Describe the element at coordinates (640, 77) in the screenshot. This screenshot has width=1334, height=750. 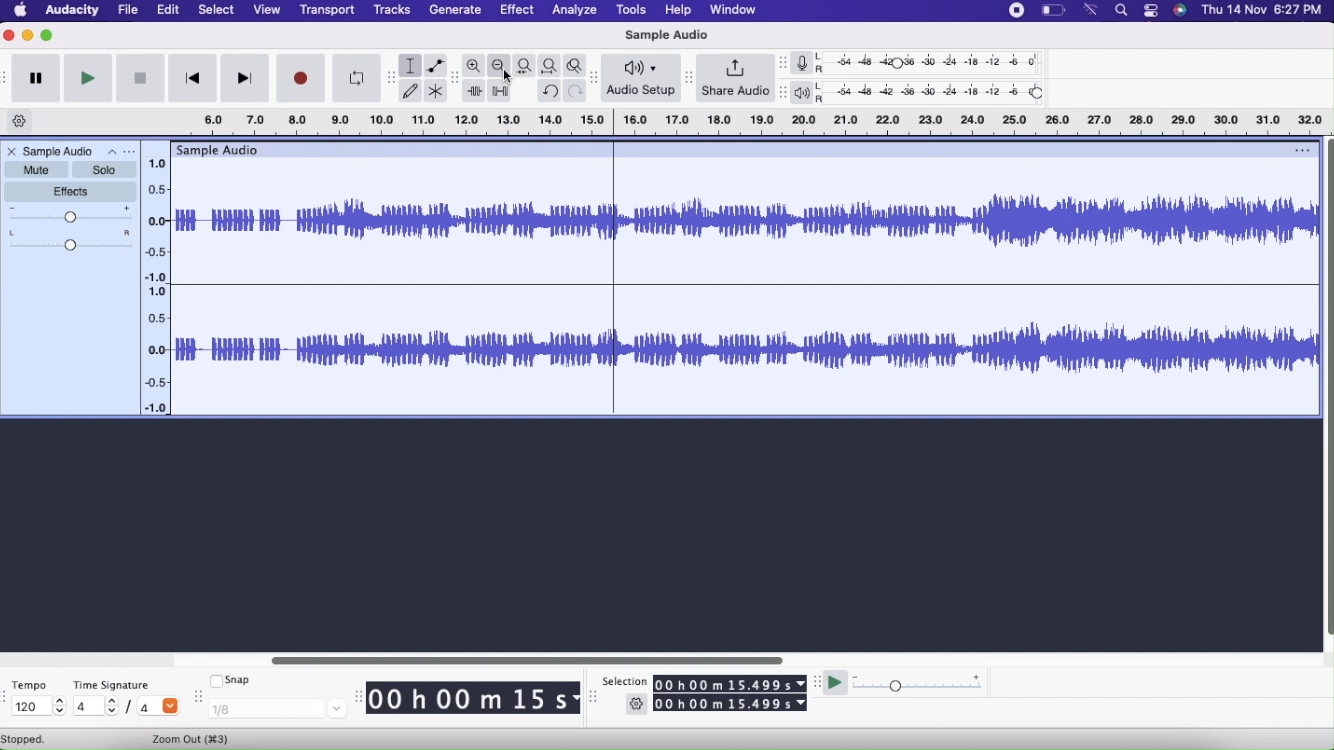
I see `Audio Setup` at that location.